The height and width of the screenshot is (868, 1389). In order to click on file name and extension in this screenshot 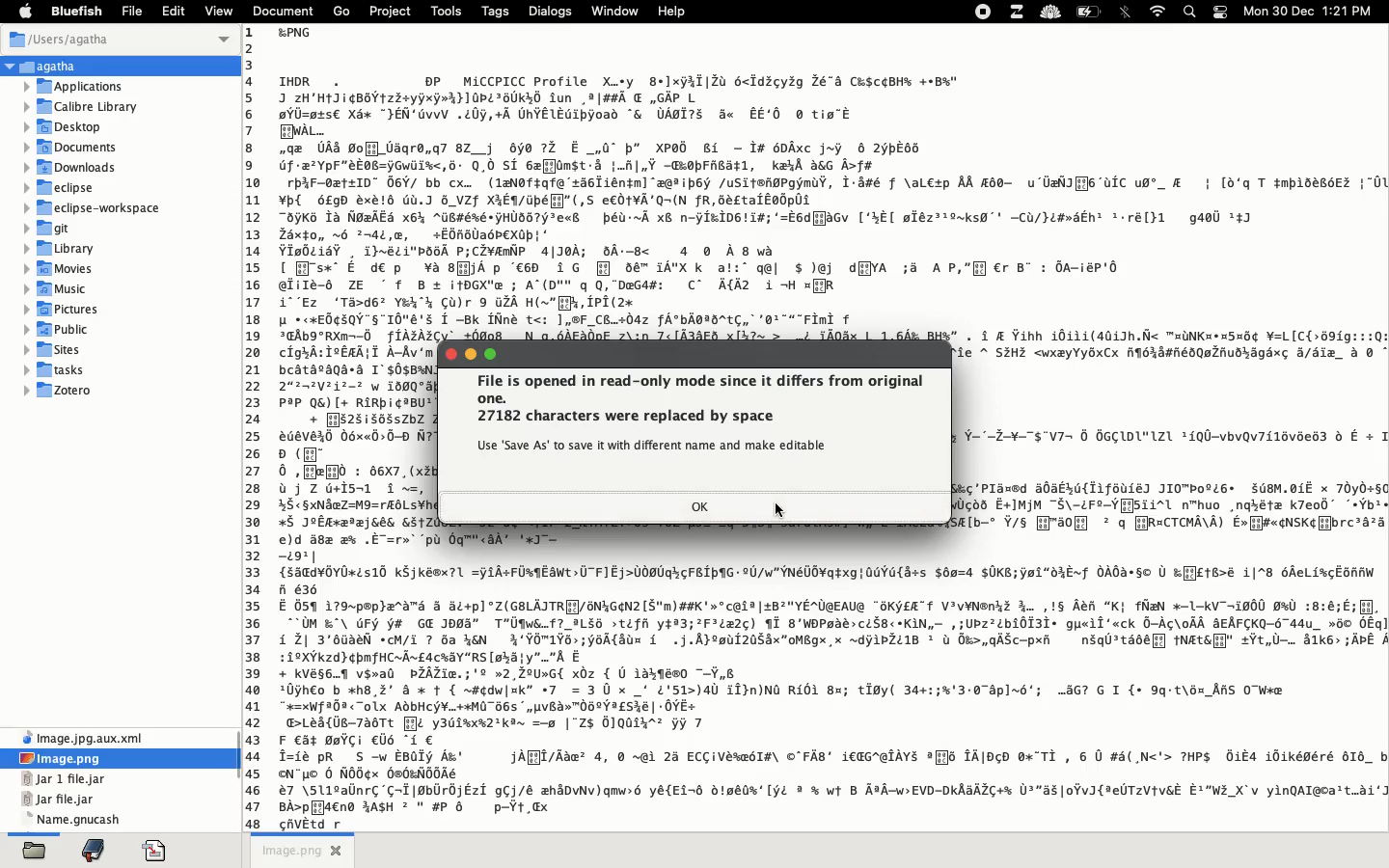, I will do `click(67, 780)`.